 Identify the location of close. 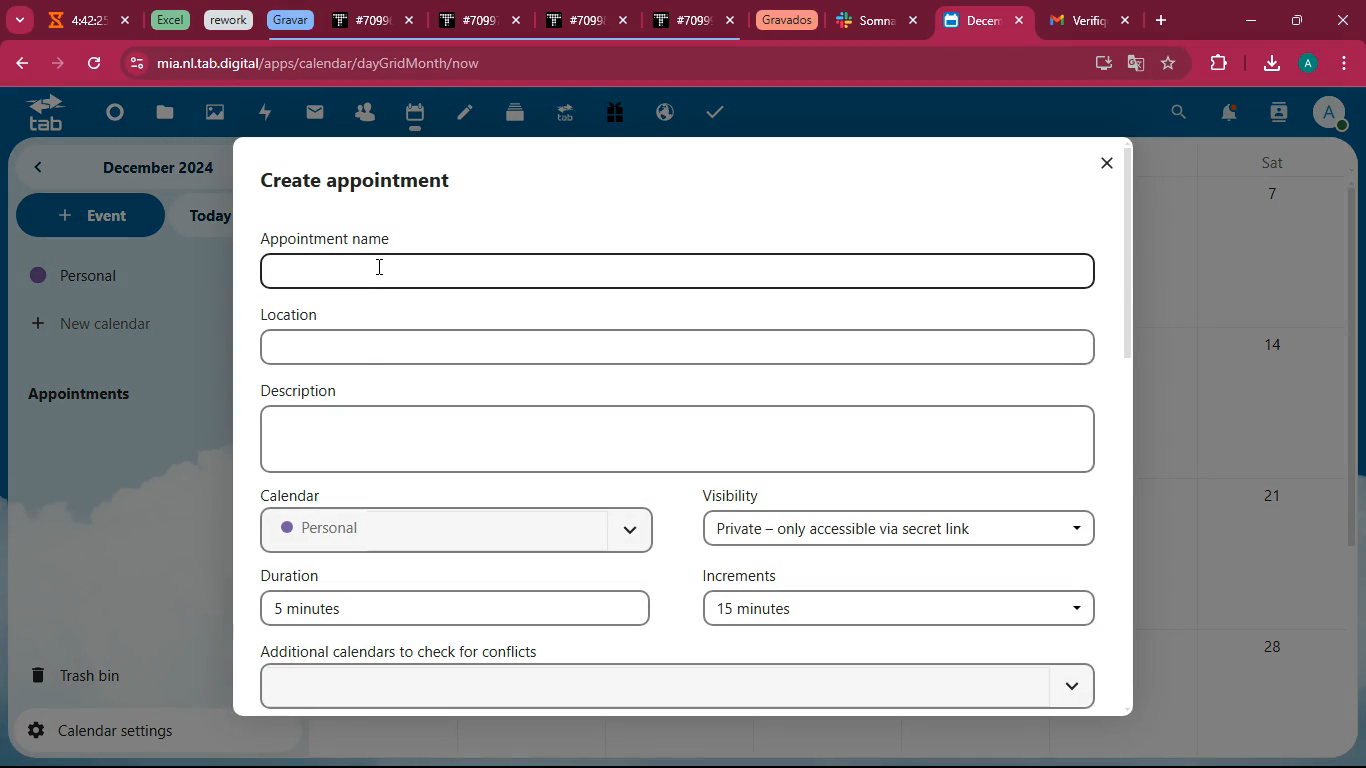
(628, 23).